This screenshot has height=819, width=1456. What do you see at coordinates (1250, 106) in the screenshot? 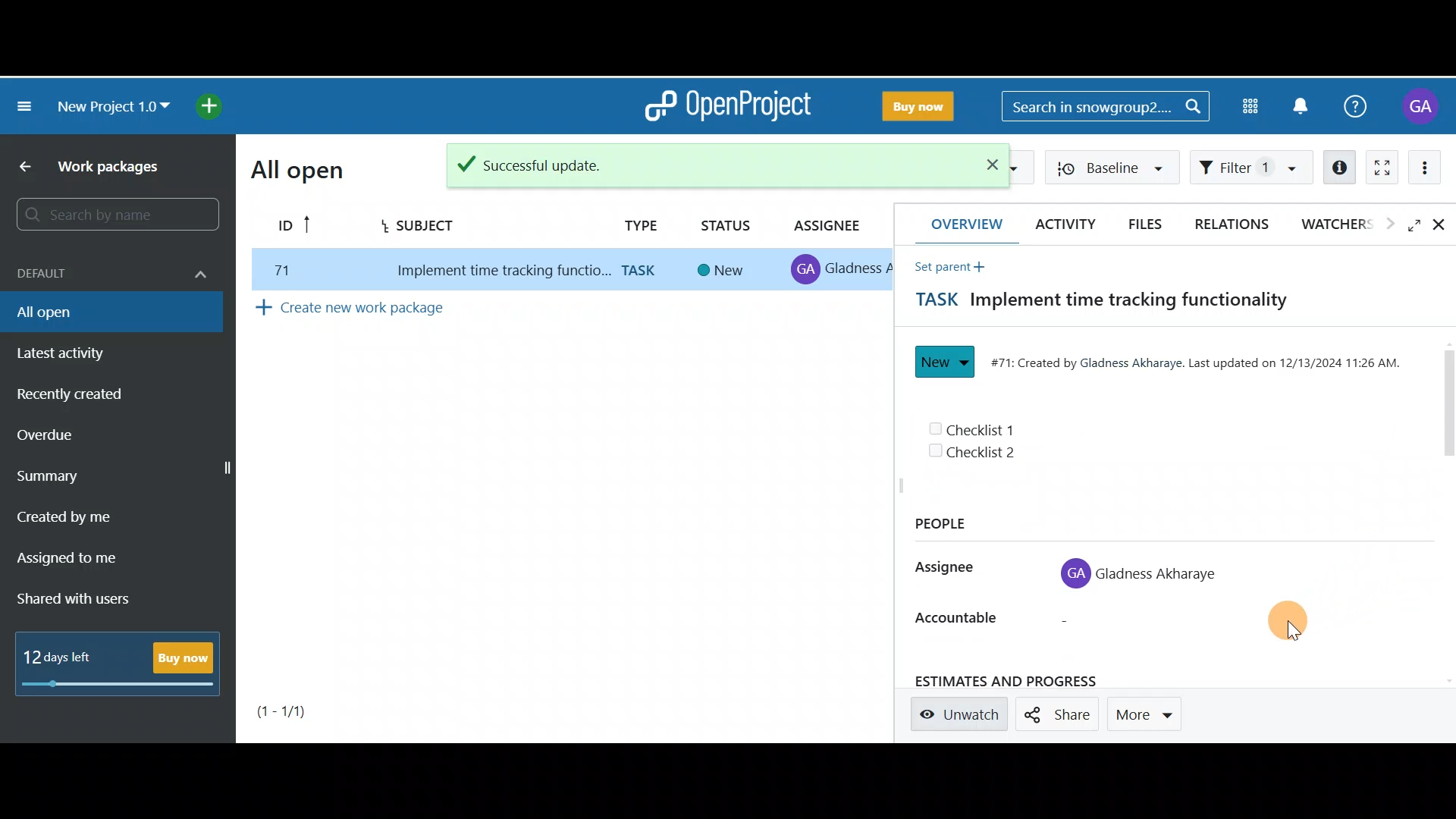
I see `Modules` at bounding box center [1250, 106].